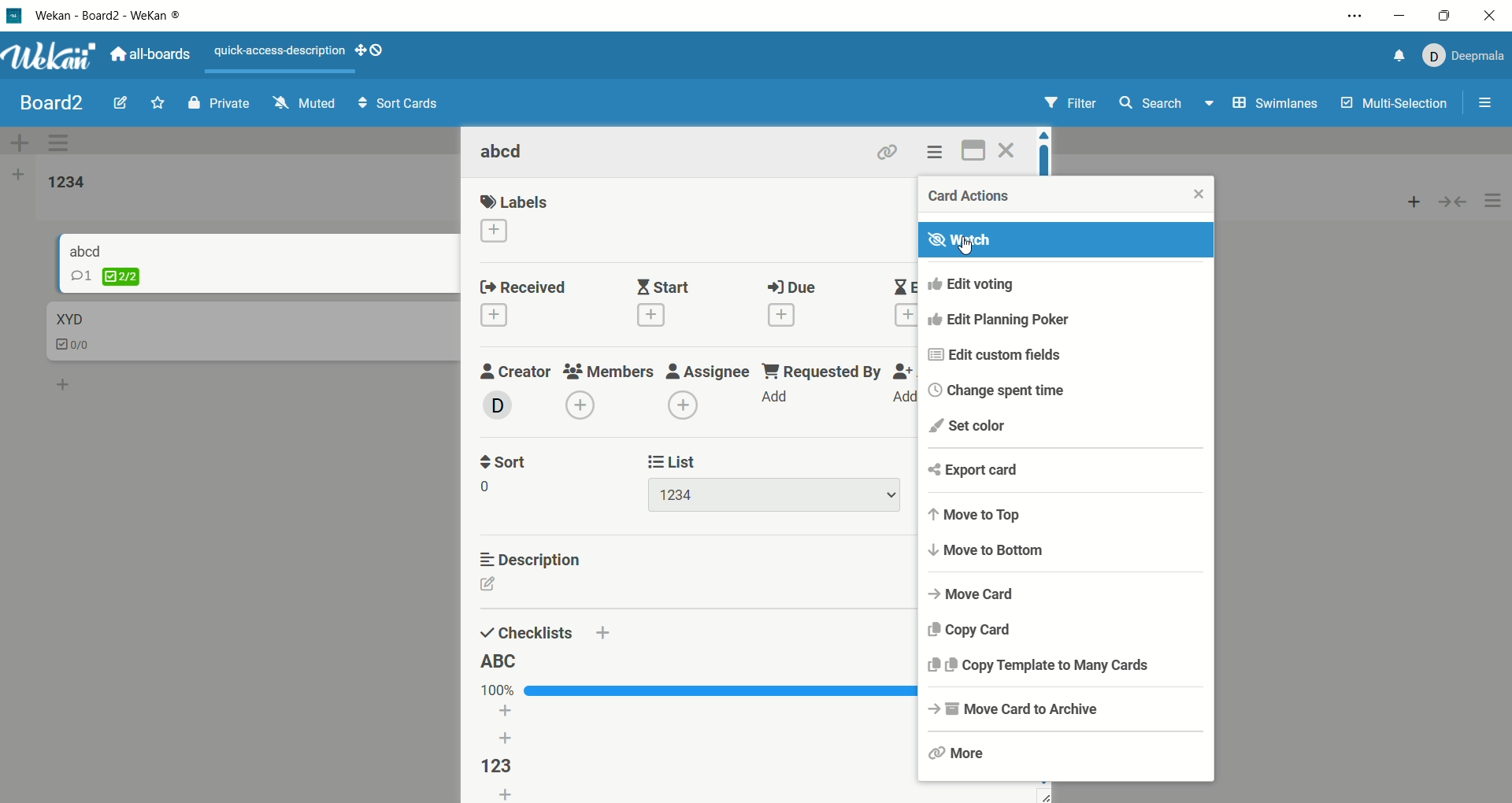 The width and height of the screenshot is (1512, 803). Describe the element at coordinates (370, 51) in the screenshot. I see `SHOW-DESKTOP-DRAG-HANDLES` at that location.